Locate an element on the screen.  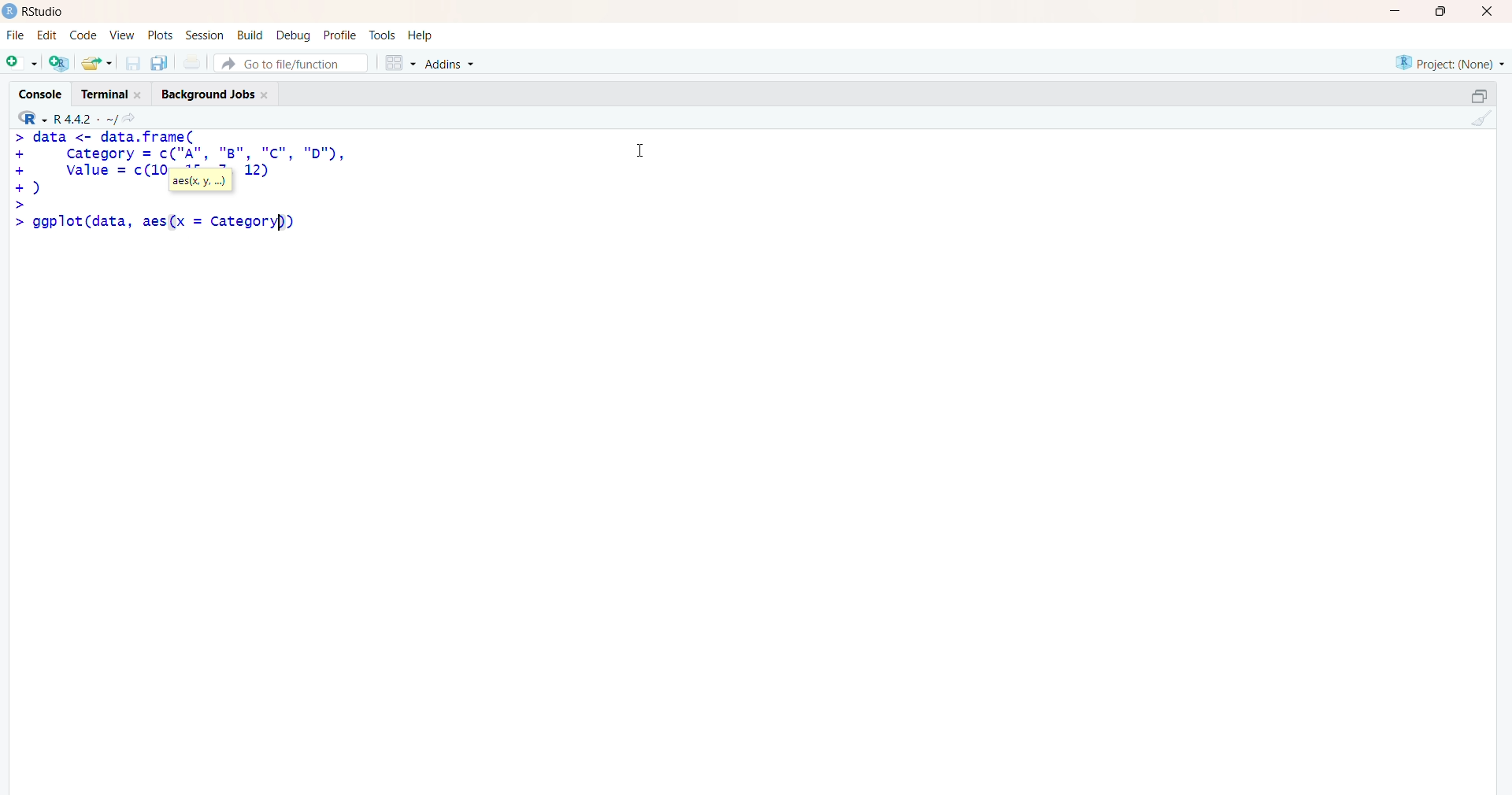
debug is located at coordinates (294, 35).